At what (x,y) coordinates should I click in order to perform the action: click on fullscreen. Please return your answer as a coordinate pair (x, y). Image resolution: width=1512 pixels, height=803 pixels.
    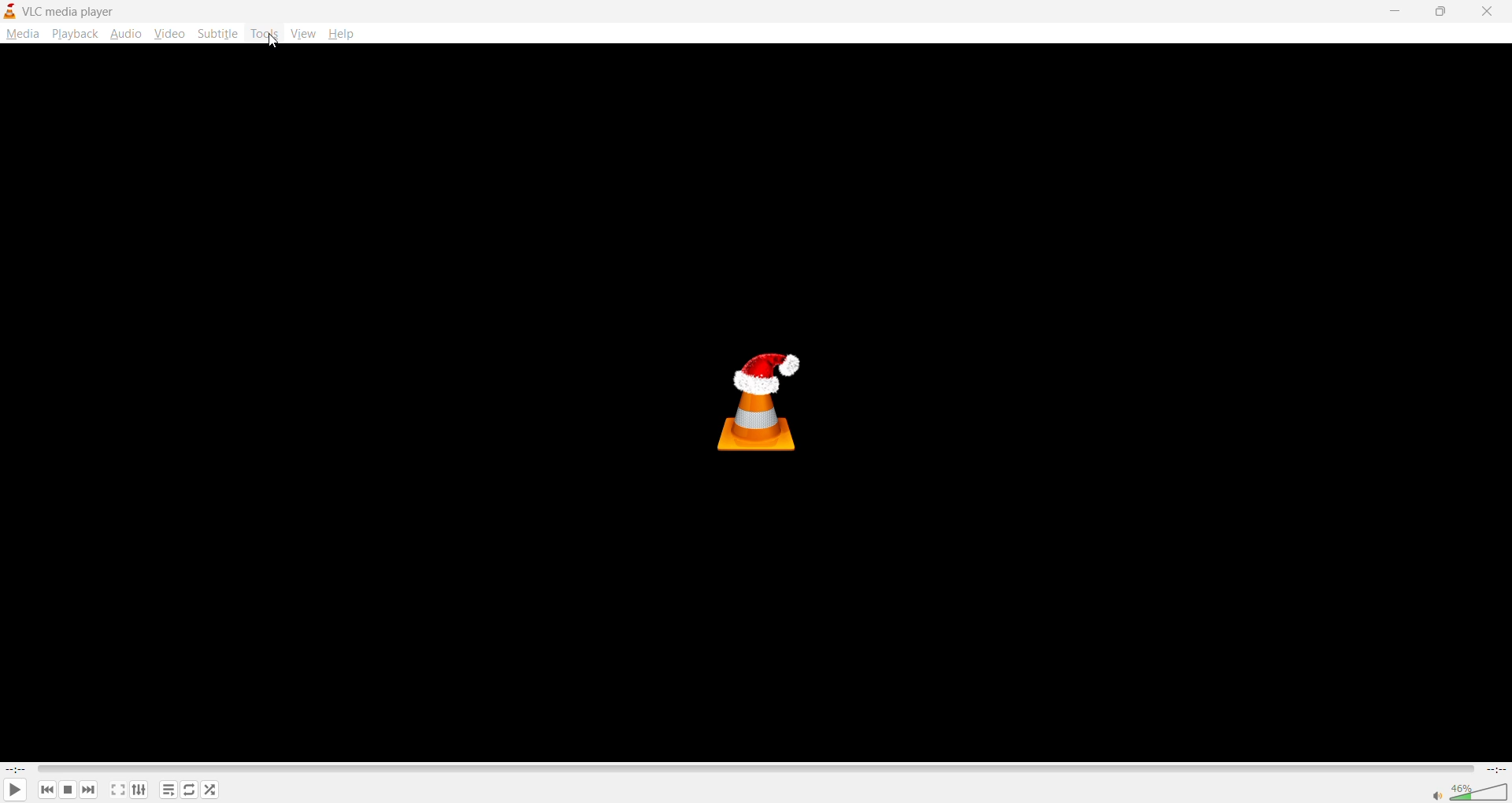
    Looking at the image, I should click on (117, 789).